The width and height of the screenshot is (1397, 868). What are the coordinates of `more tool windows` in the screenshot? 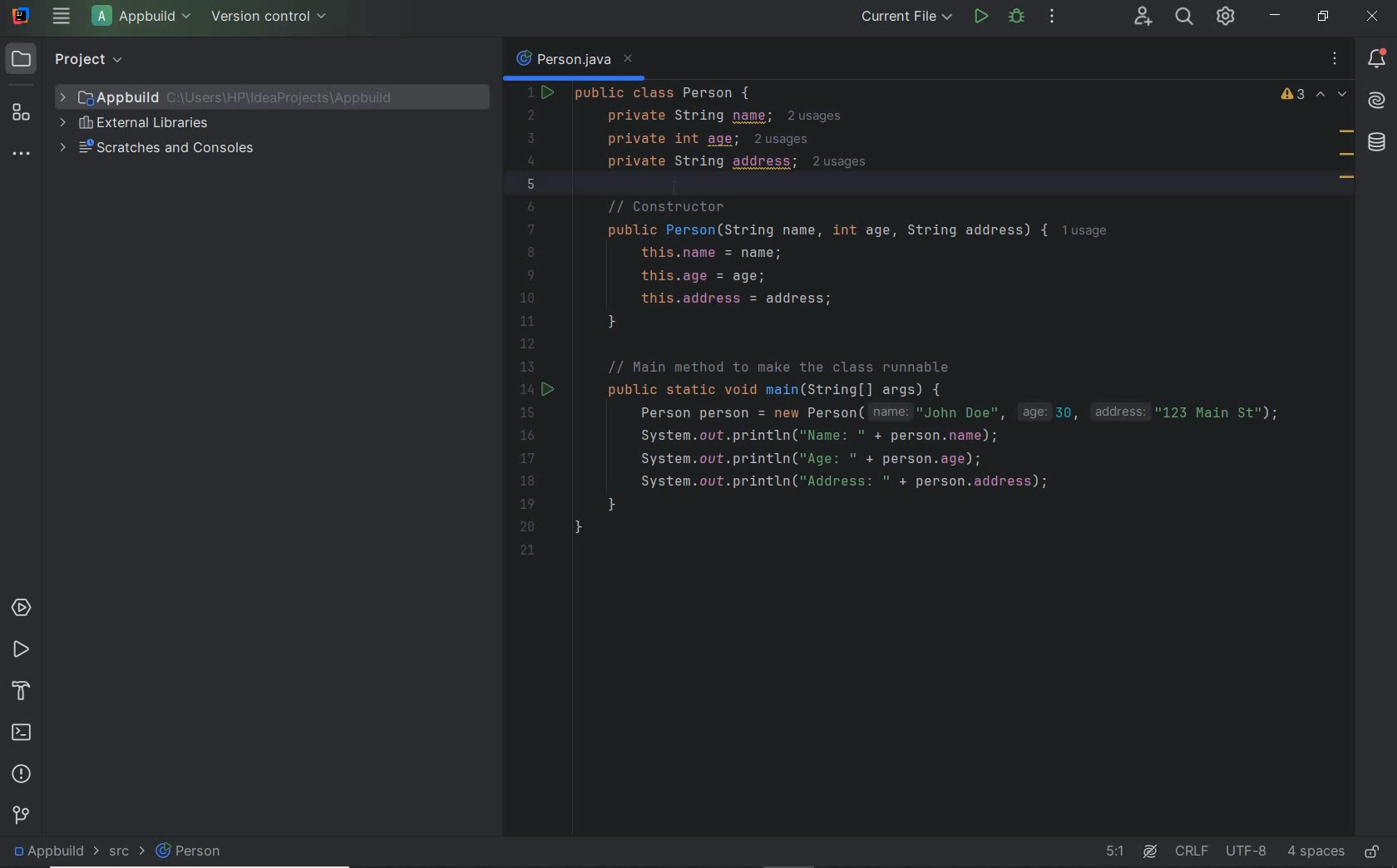 It's located at (20, 155).